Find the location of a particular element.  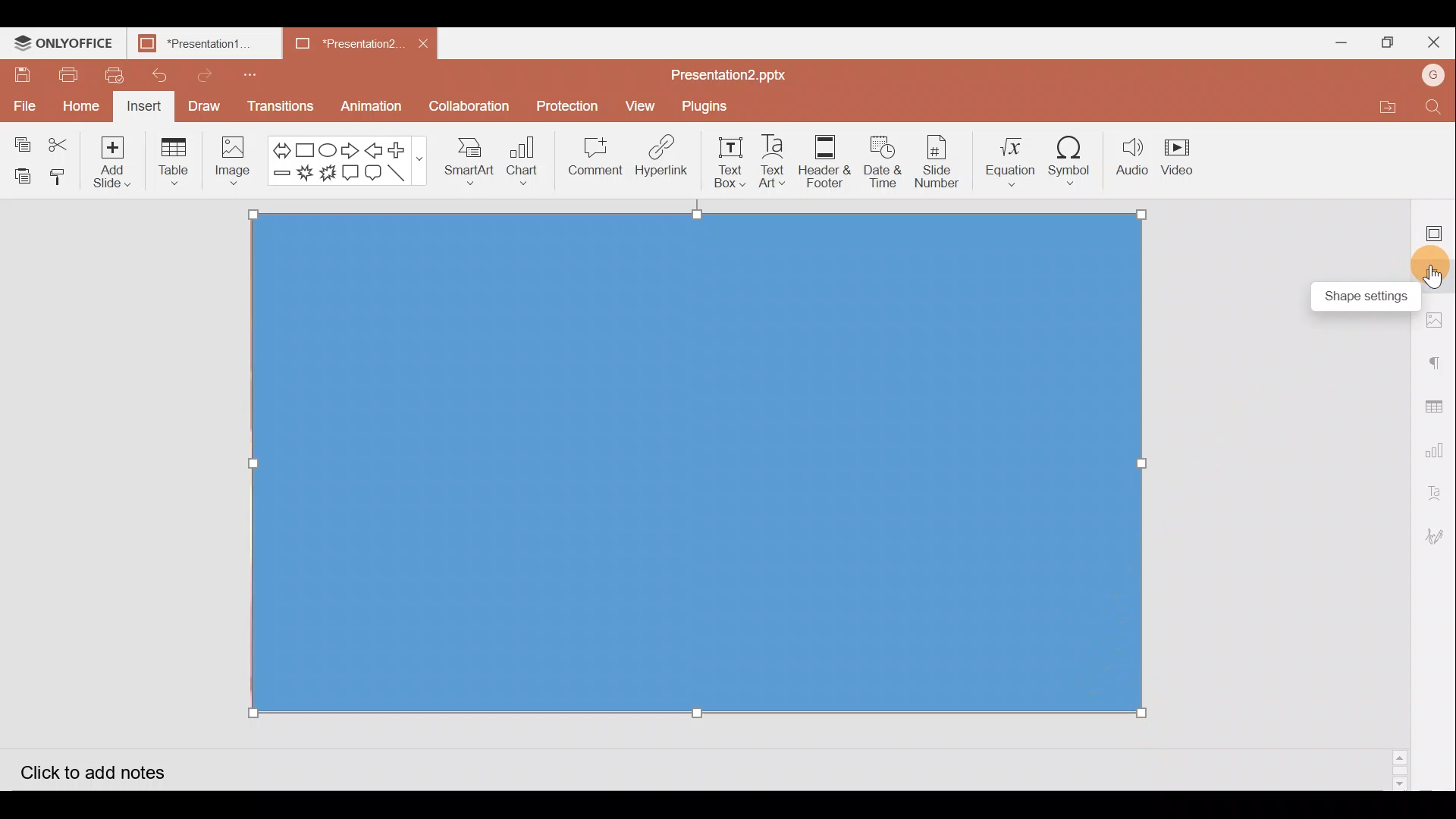

Rectangle shape on background image is located at coordinates (693, 463).